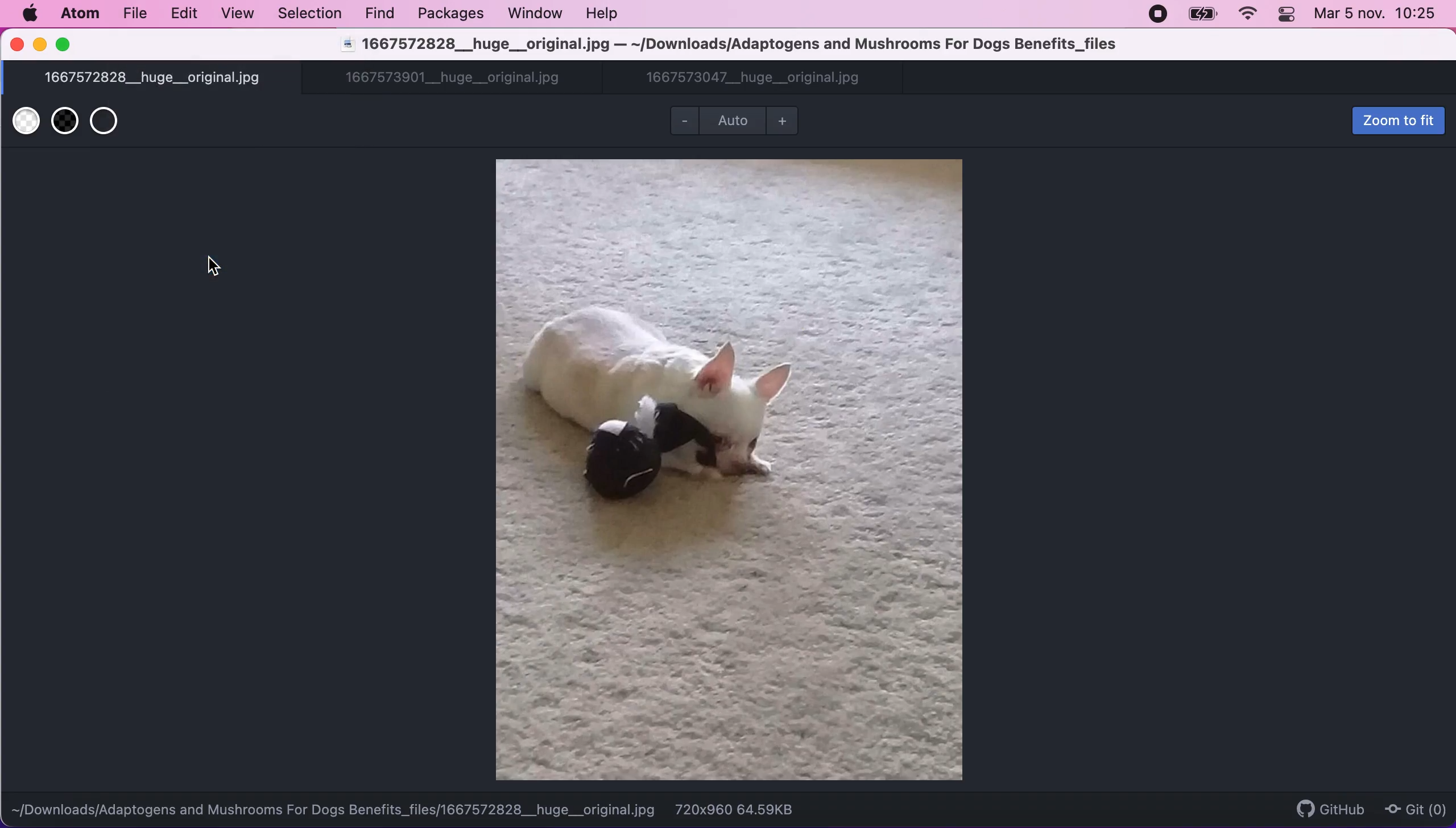  Describe the element at coordinates (534, 14) in the screenshot. I see `window` at that location.